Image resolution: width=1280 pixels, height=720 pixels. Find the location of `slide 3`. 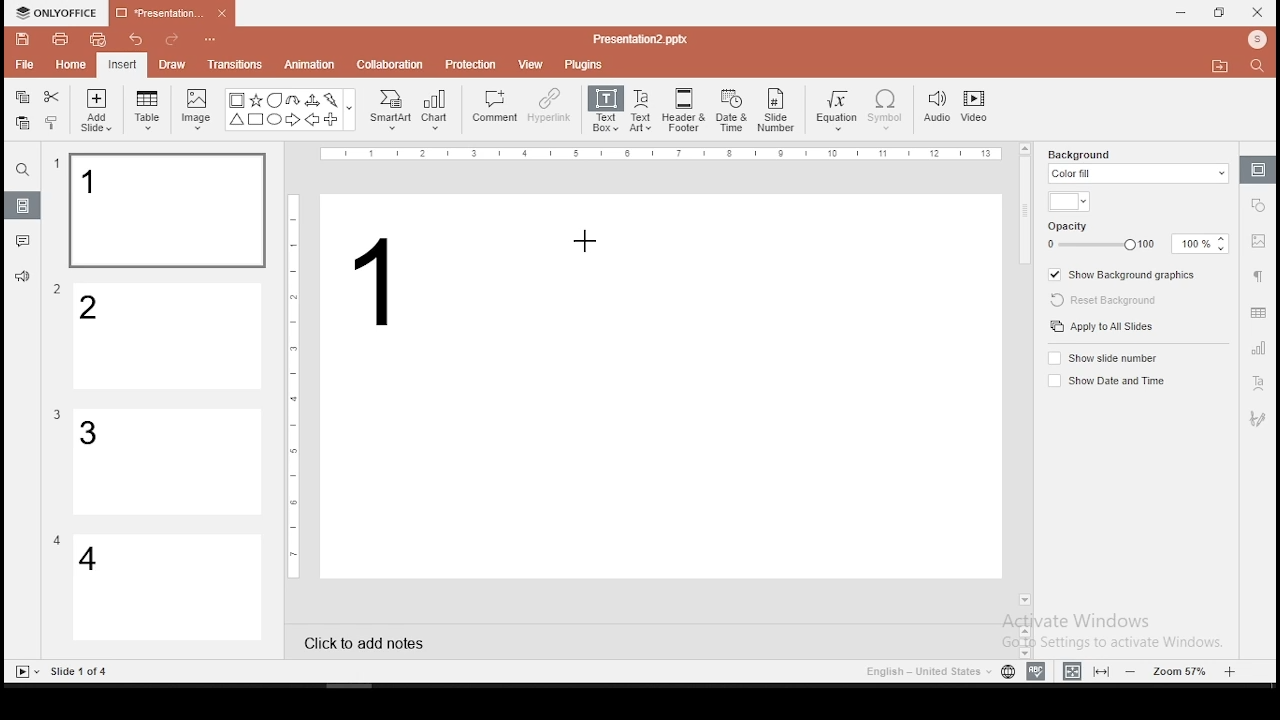

slide 3 is located at coordinates (165, 462).